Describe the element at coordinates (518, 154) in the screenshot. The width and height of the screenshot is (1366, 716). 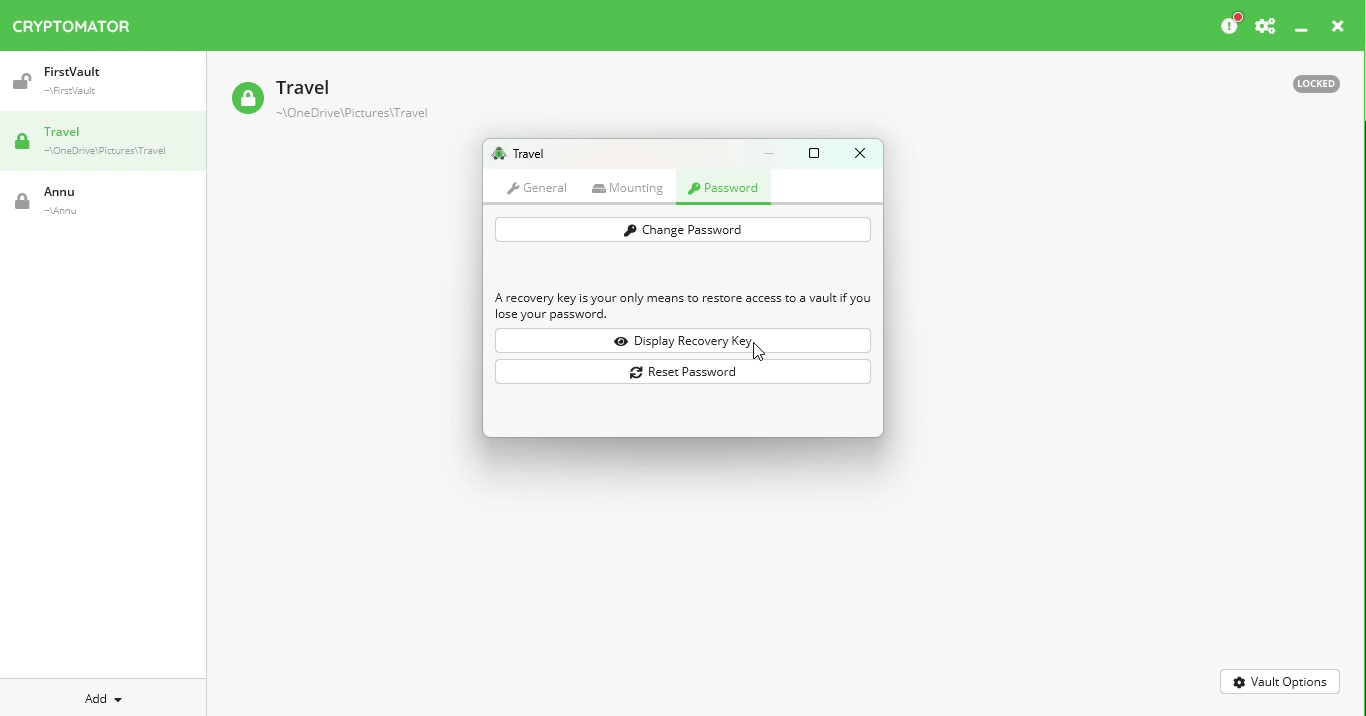
I see `Travel` at that location.